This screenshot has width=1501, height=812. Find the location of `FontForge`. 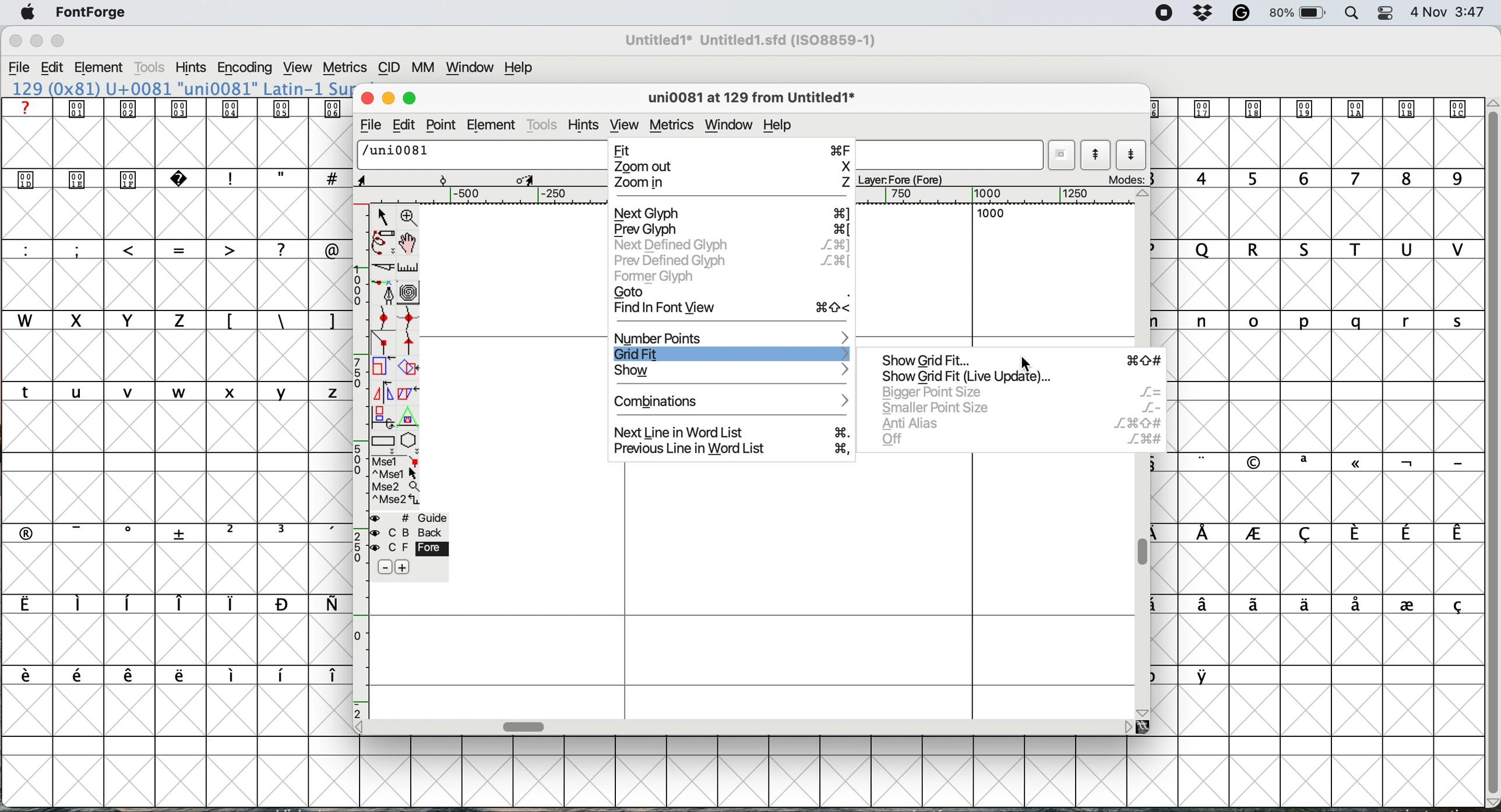

FontForge is located at coordinates (91, 16).